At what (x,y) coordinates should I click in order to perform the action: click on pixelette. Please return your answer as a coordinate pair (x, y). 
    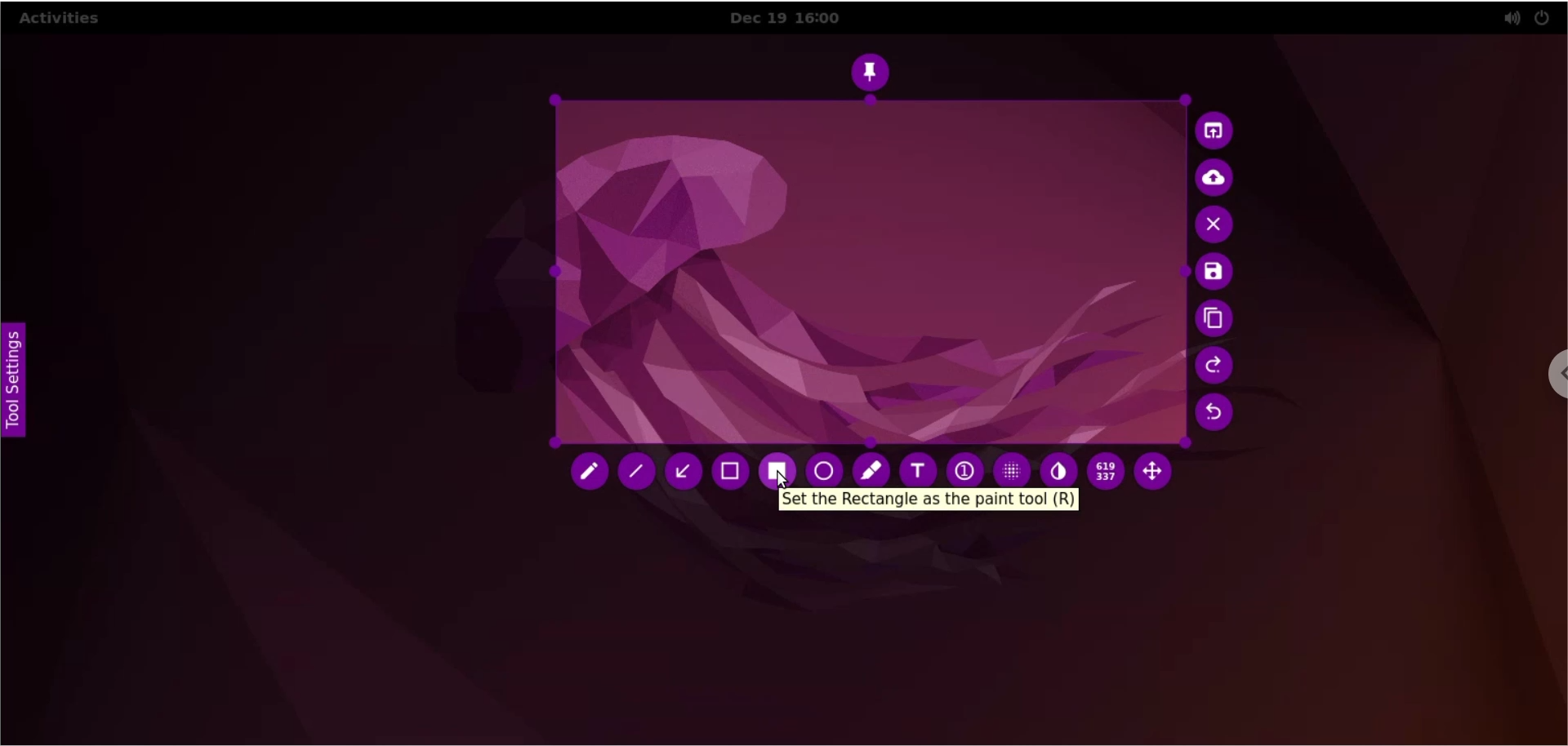
    Looking at the image, I should click on (1009, 468).